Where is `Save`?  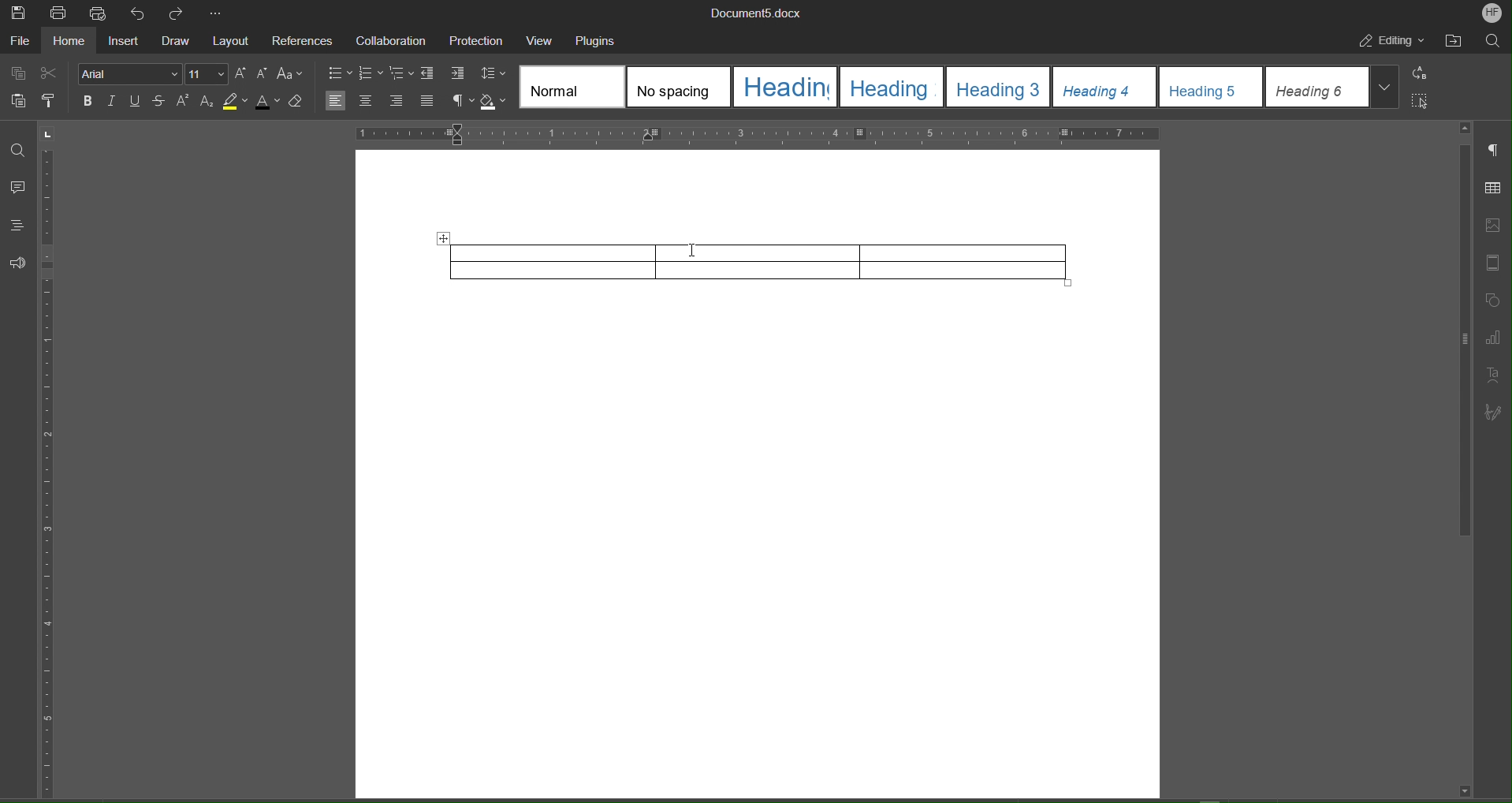 Save is located at coordinates (17, 13).